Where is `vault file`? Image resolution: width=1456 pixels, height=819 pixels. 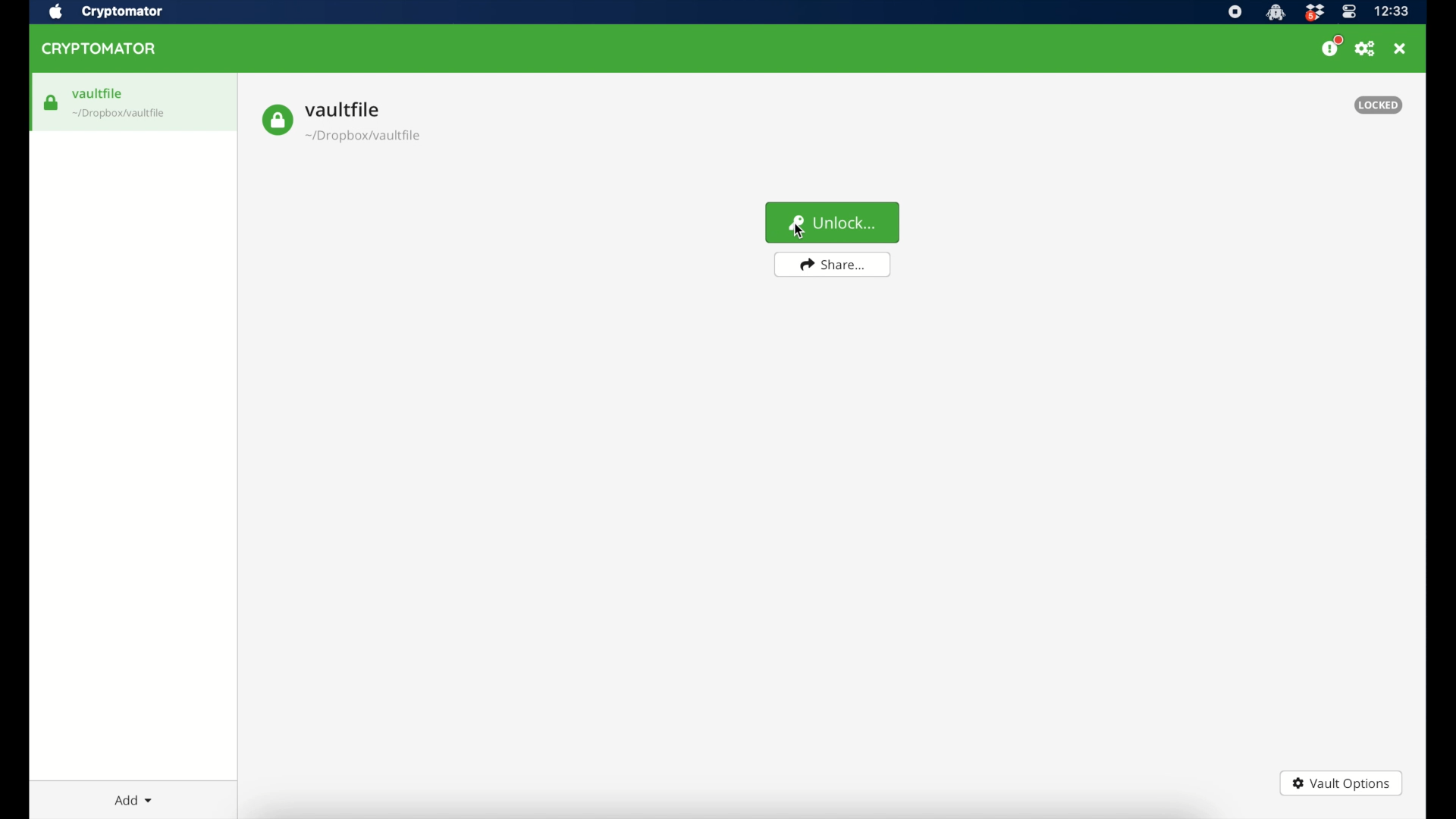
vault file is located at coordinates (342, 121).